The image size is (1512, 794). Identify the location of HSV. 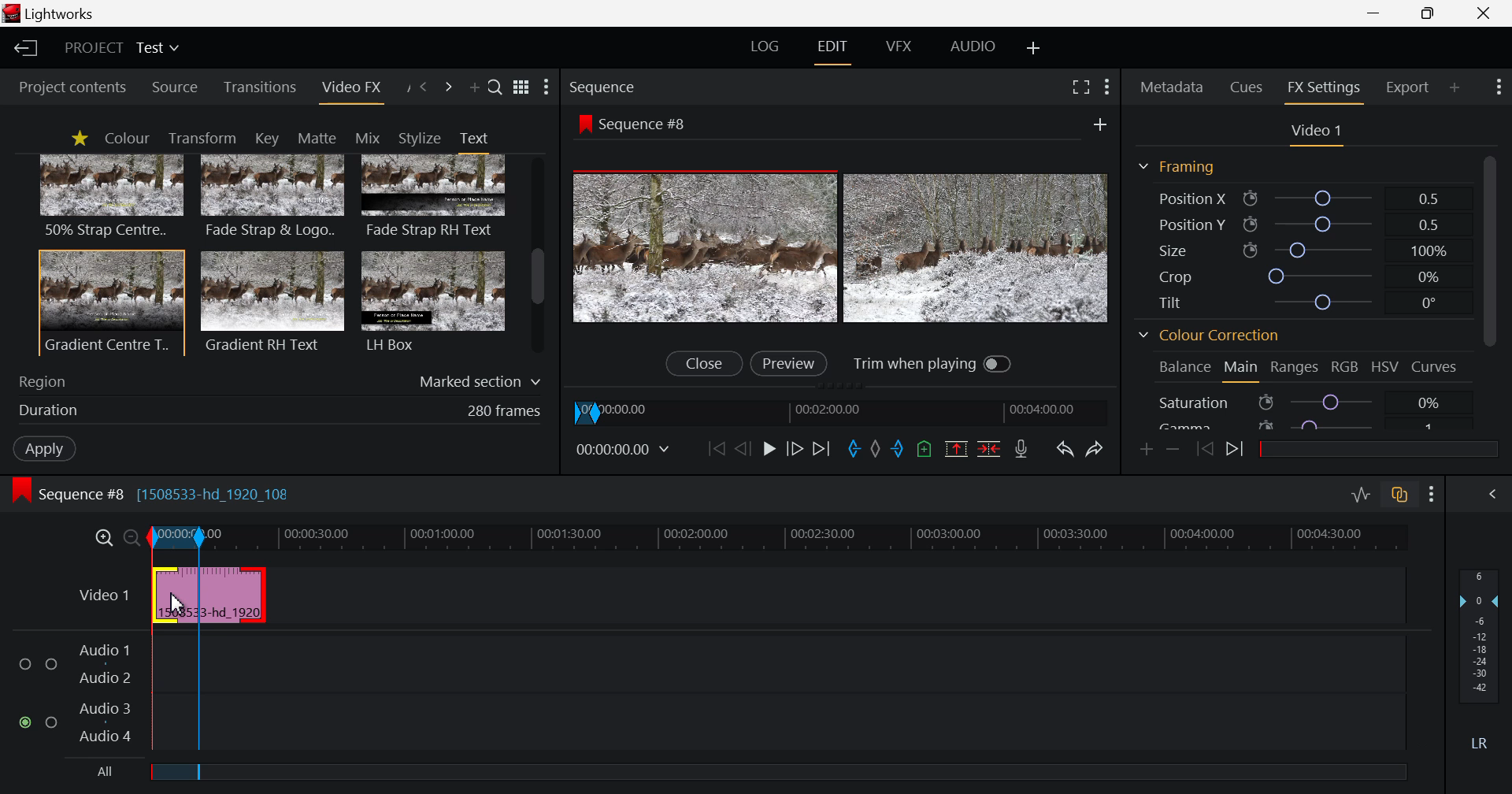
(1388, 368).